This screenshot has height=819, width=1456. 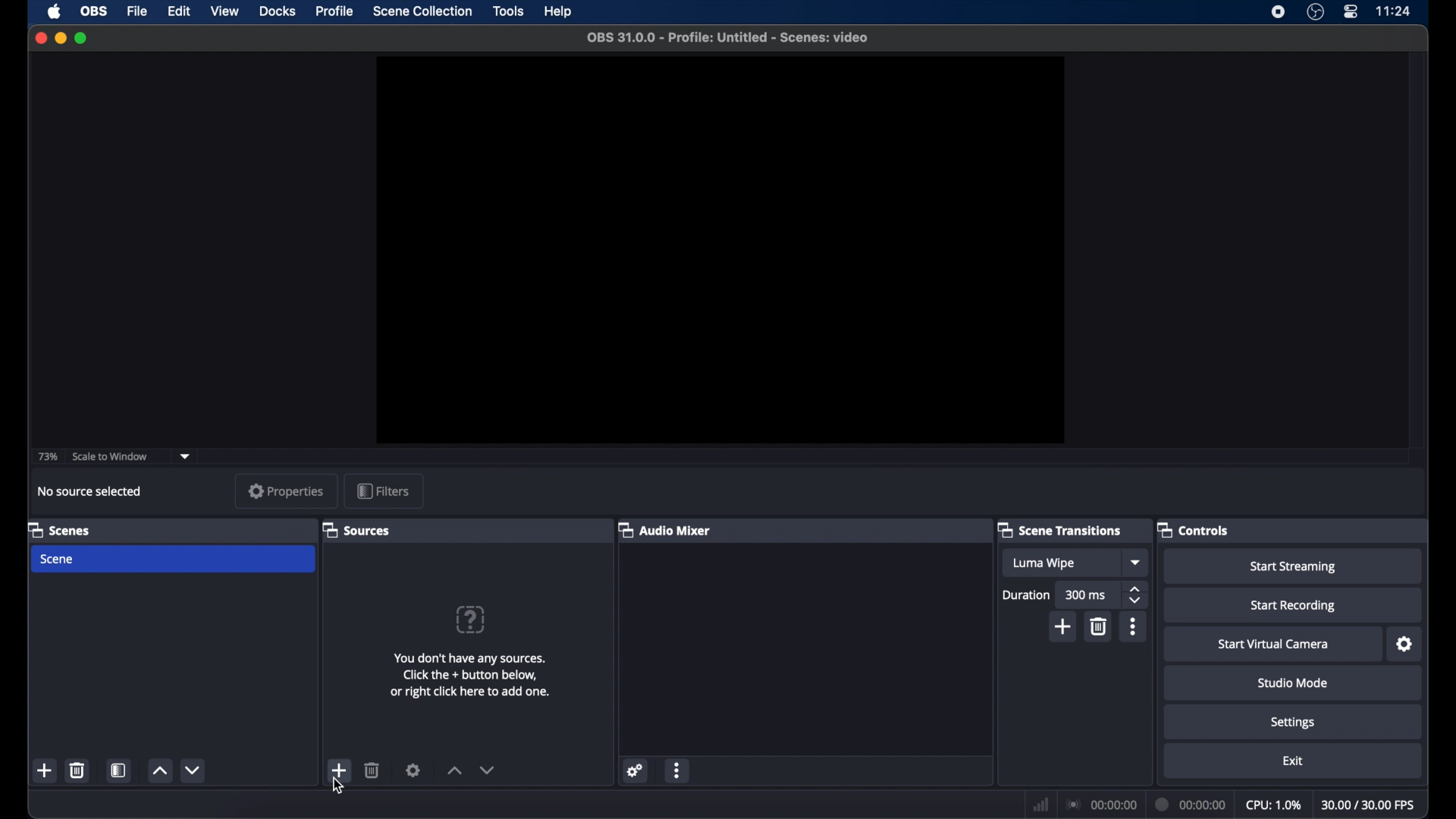 I want to click on profile, so click(x=336, y=11).